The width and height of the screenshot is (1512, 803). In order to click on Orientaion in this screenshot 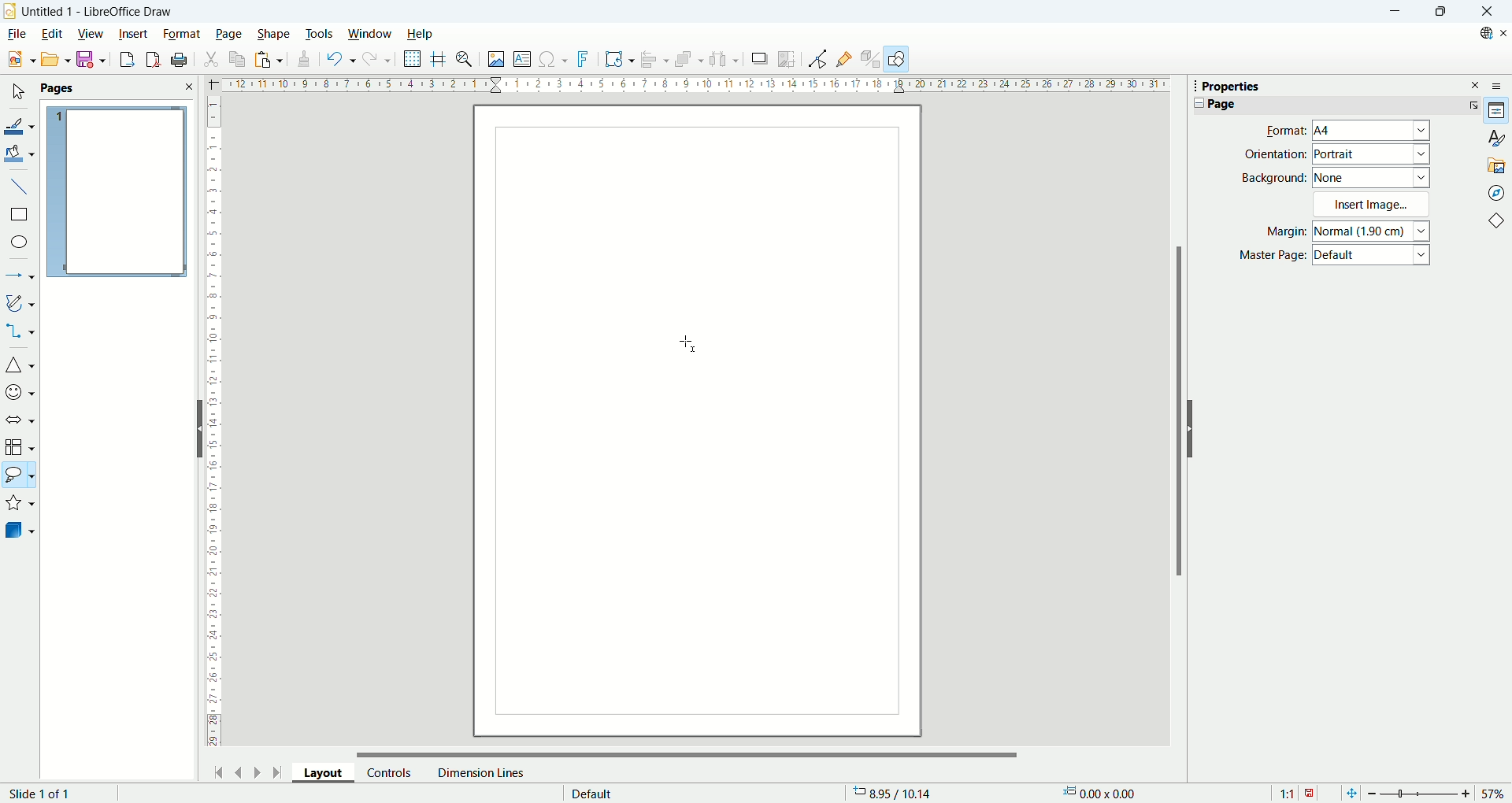, I will do `click(1275, 154)`.